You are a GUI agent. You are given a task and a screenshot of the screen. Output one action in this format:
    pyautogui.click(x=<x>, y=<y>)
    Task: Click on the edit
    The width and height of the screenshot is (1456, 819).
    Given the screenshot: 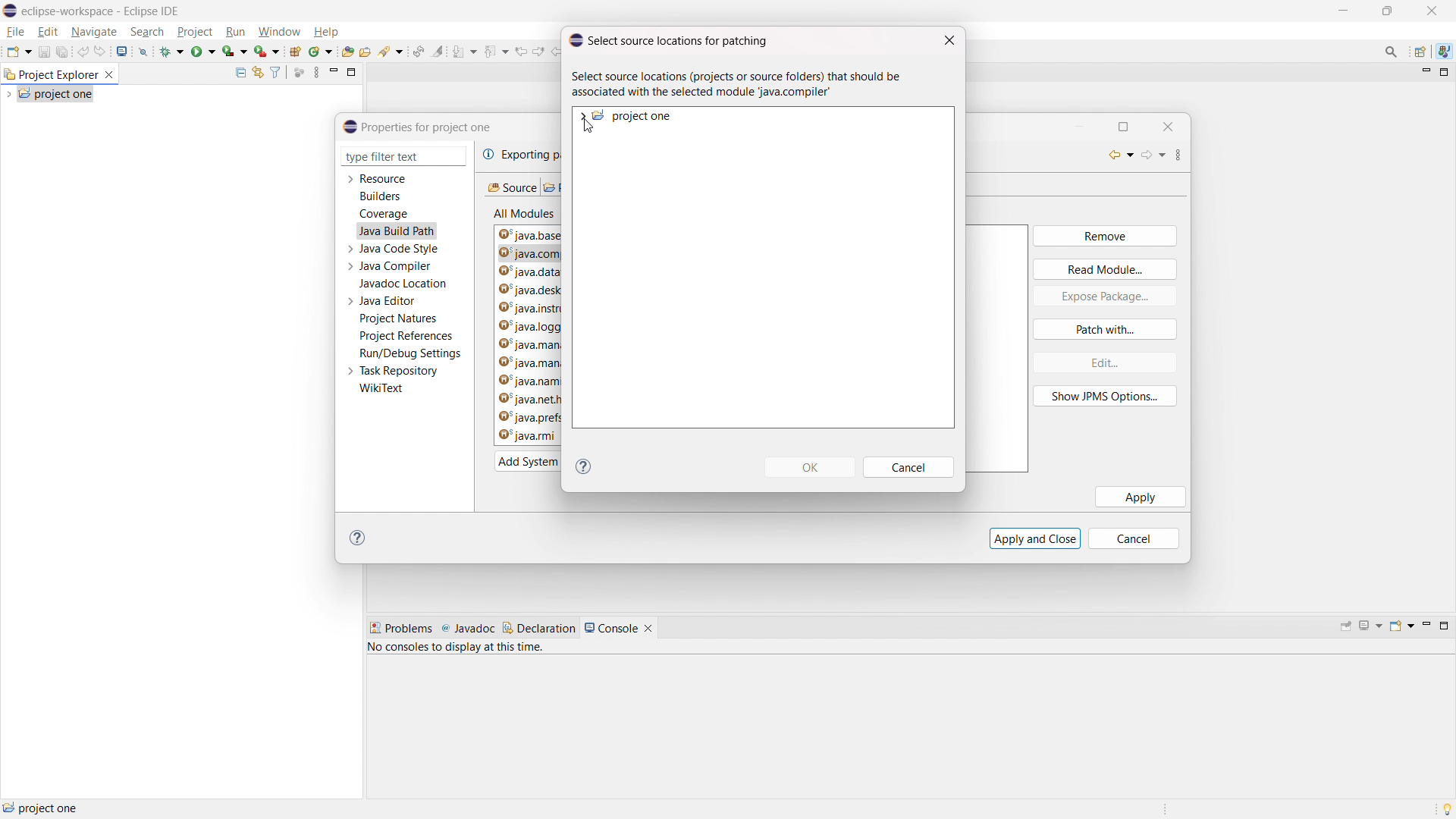 What is the action you would take?
    pyautogui.click(x=48, y=33)
    